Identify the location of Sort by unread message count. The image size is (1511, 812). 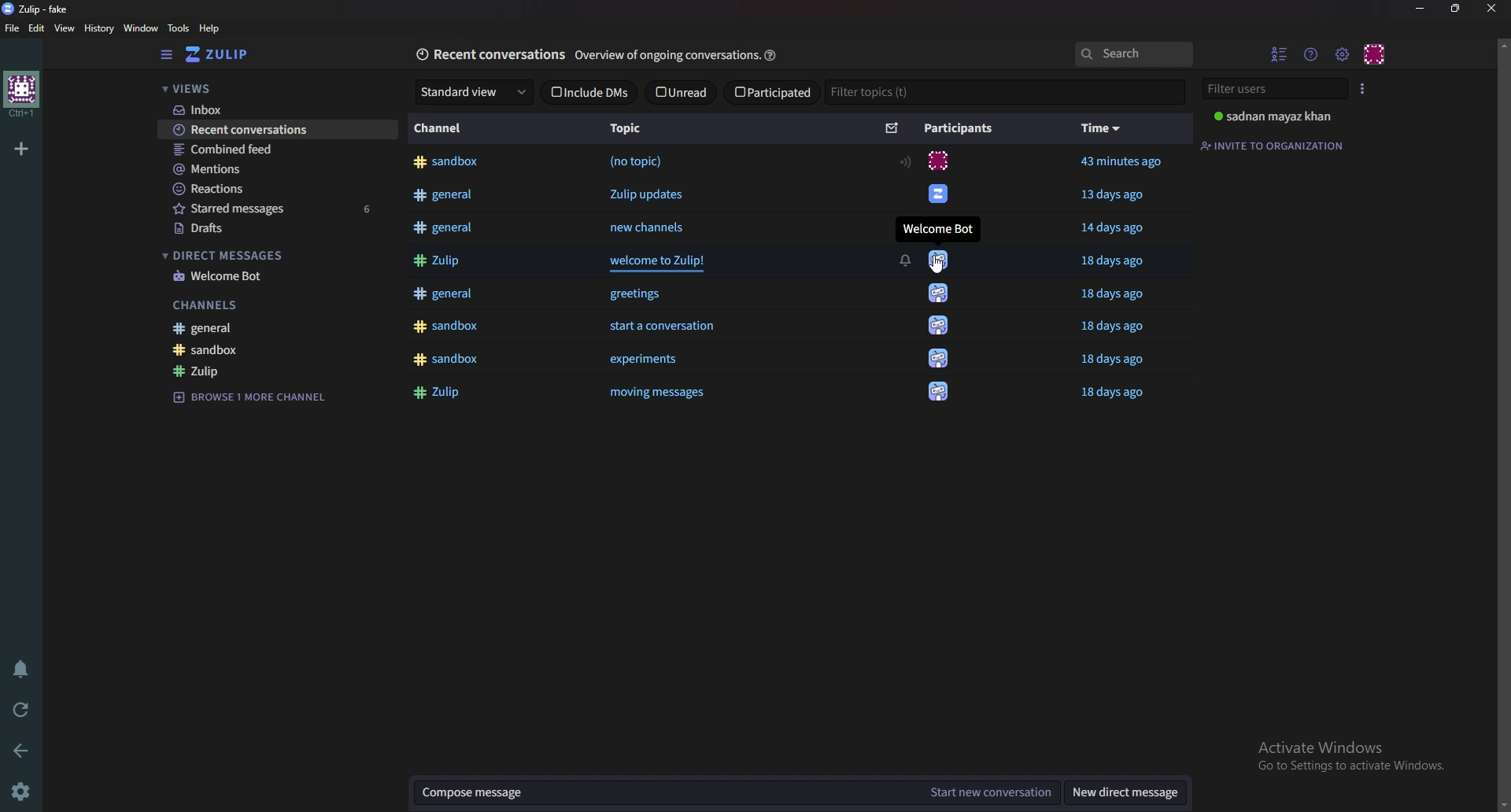
(892, 129).